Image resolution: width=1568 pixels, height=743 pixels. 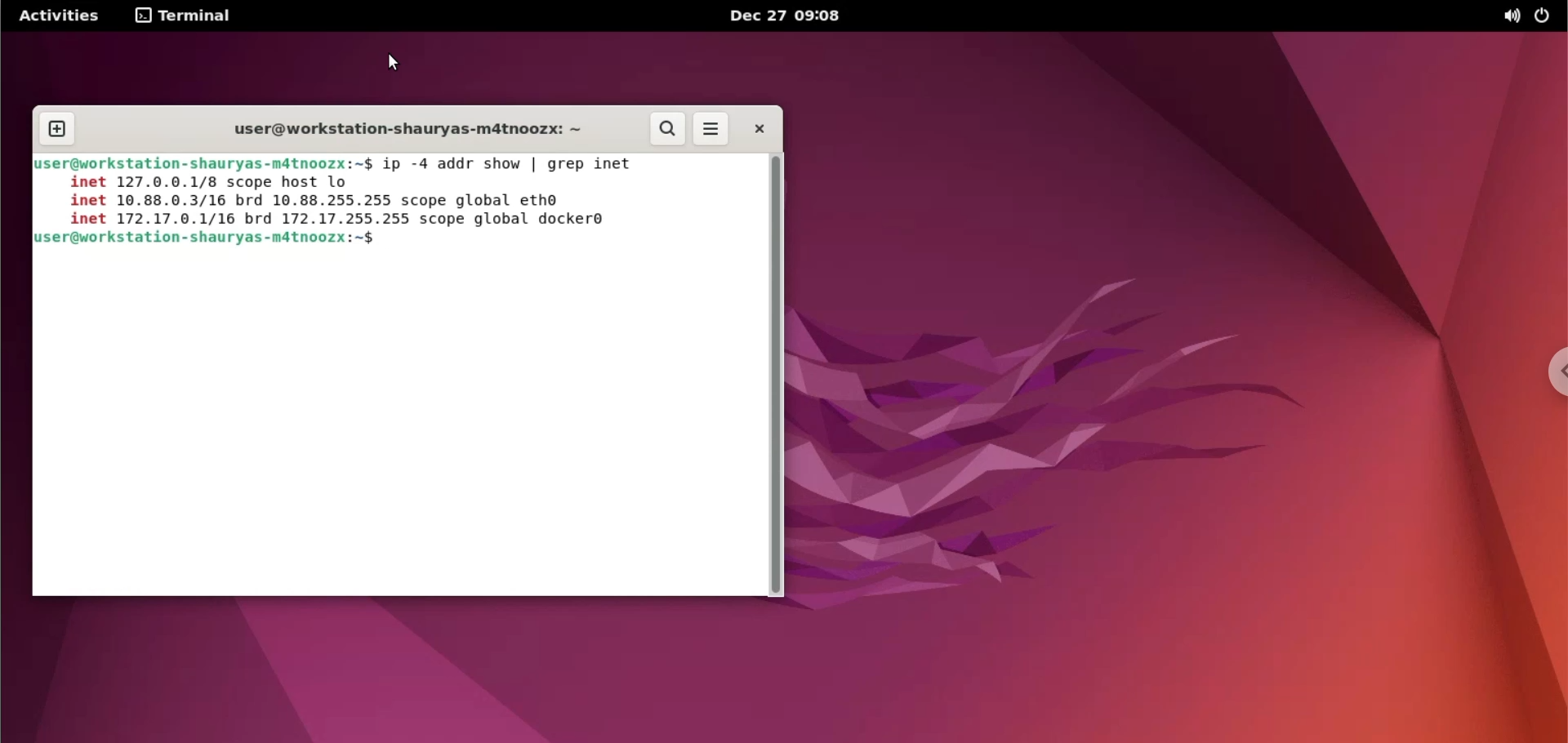 What do you see at coordinates (399, 426) in the screenshot?
I see `command input box` at bounding box center [399, 426].